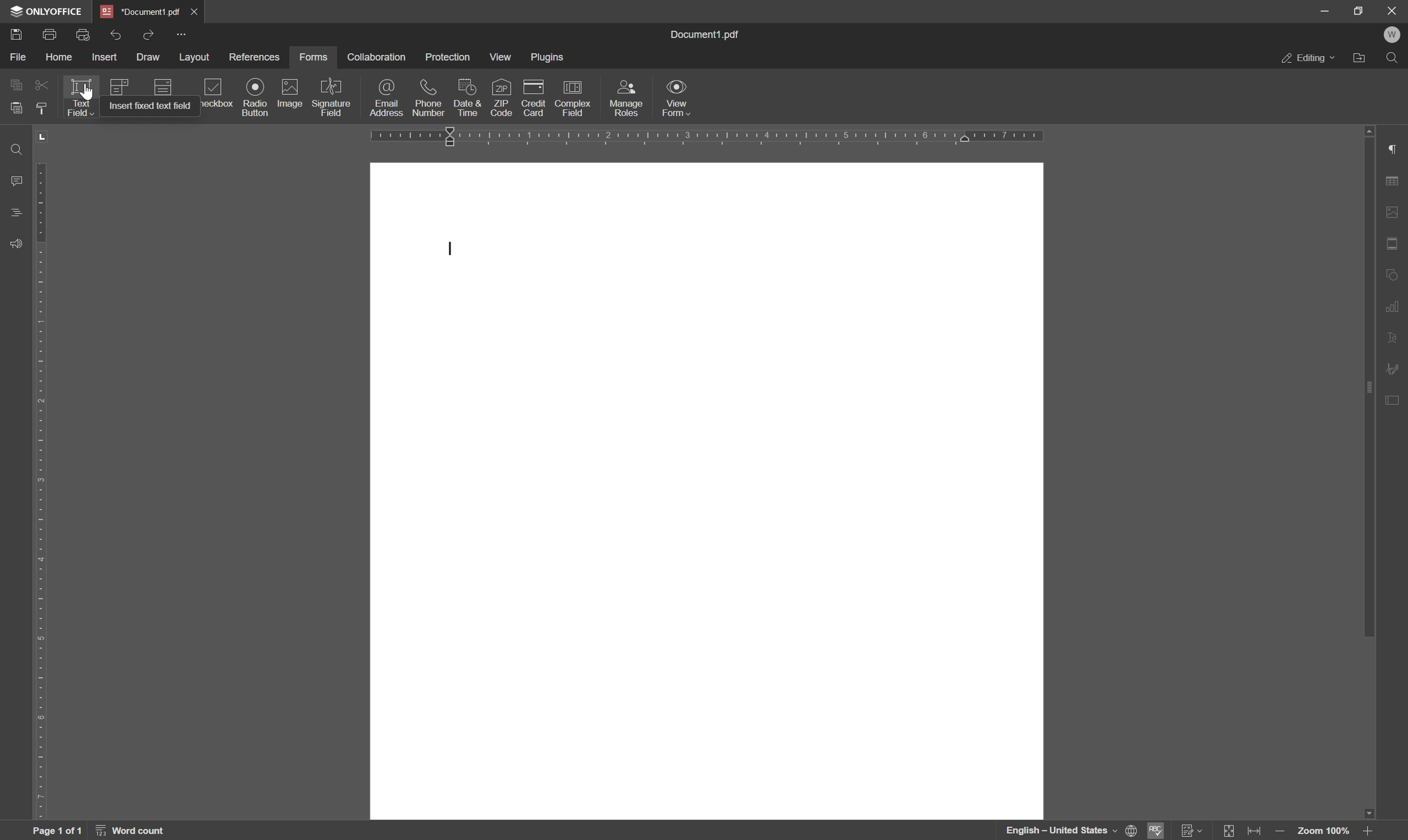  Describe the element at coordinates (1325, 11) in the screenshot. I see `minimize` at that location.